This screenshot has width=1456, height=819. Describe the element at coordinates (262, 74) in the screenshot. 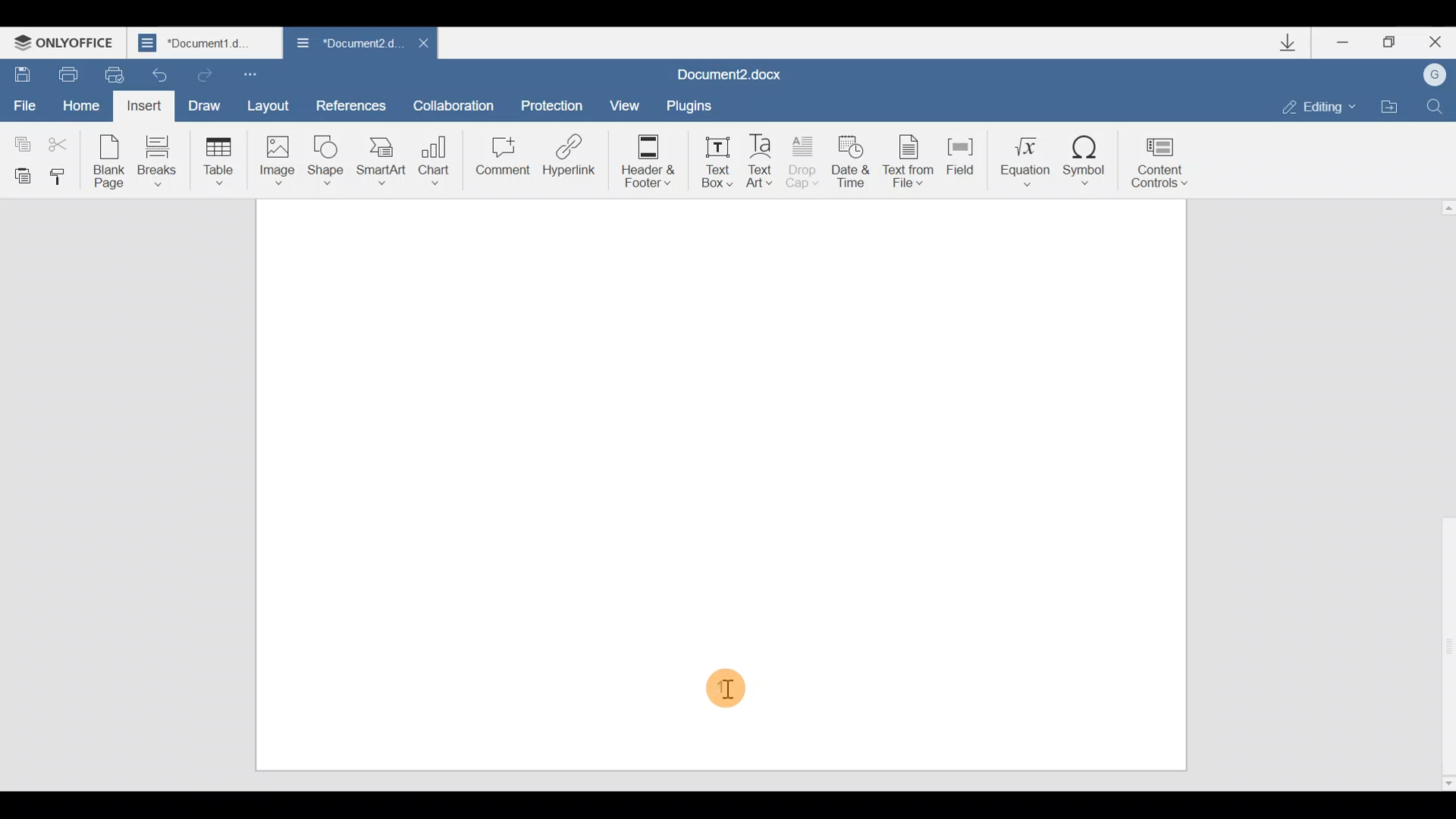

I see `Customize quick access toolbar` at that location.